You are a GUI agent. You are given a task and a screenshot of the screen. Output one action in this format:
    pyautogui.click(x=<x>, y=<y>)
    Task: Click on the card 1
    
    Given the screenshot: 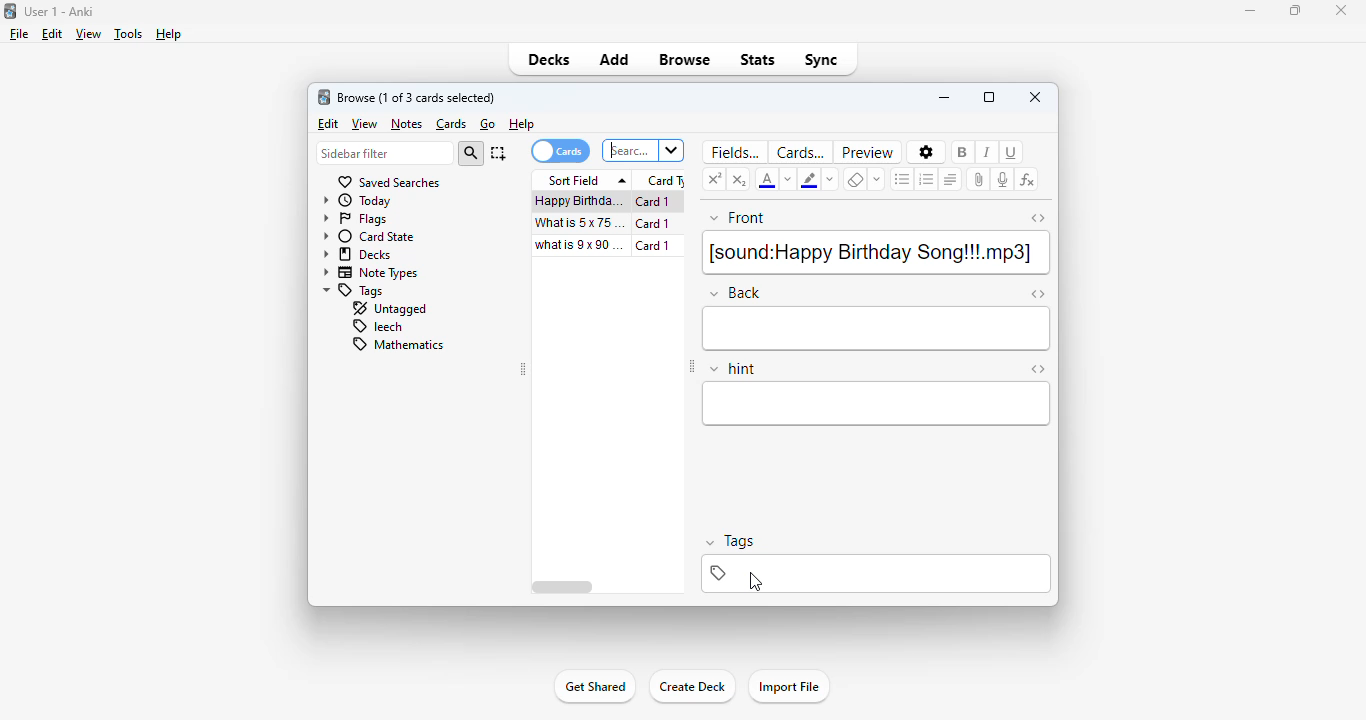 What is the action you would take?
    pyautogui.click(x=653, y=224)
    